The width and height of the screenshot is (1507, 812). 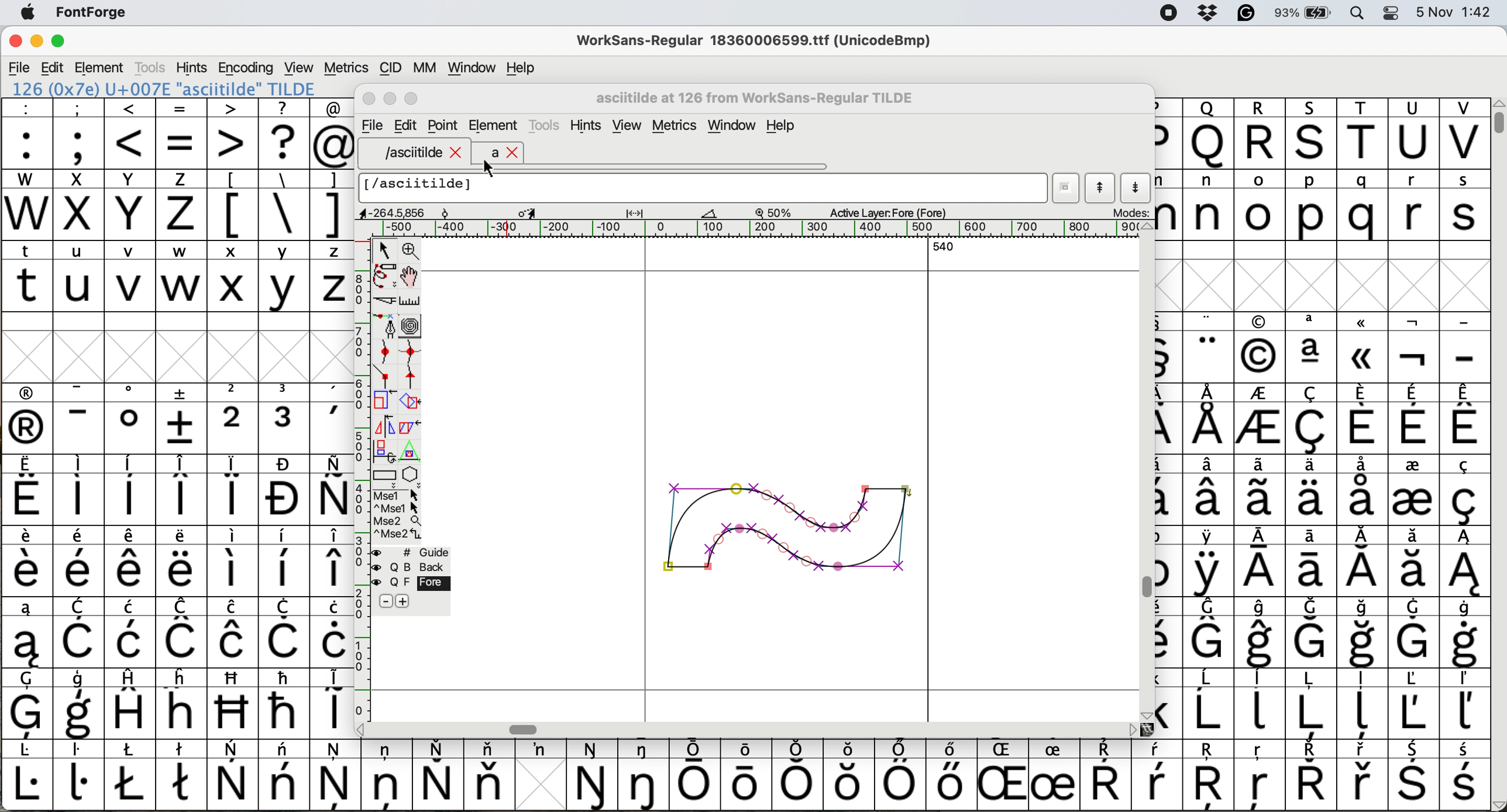 I want to click on U, so click(x=1413, y=134).